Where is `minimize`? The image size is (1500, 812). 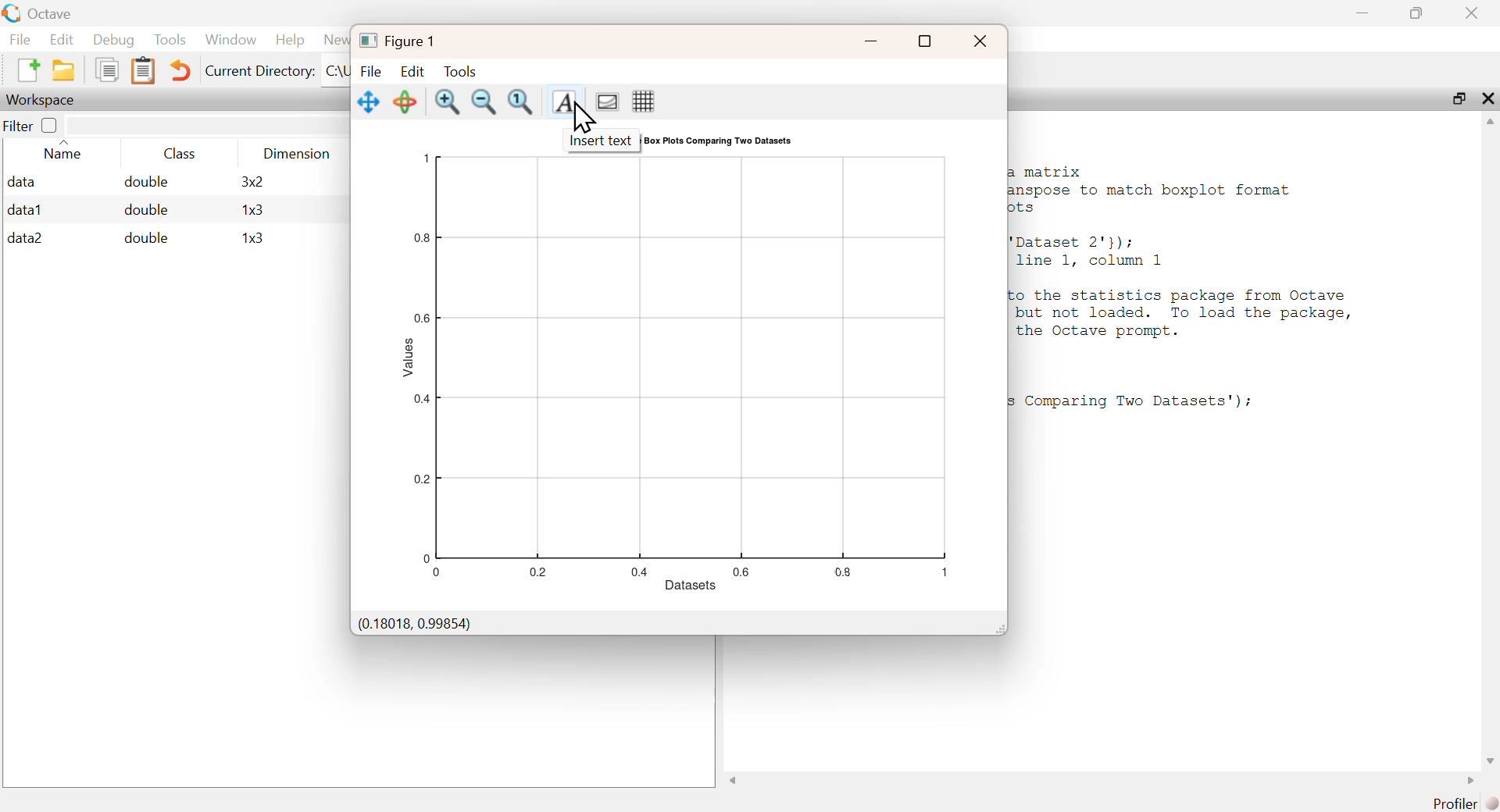
minimize is located at coordinates (1362, 12).